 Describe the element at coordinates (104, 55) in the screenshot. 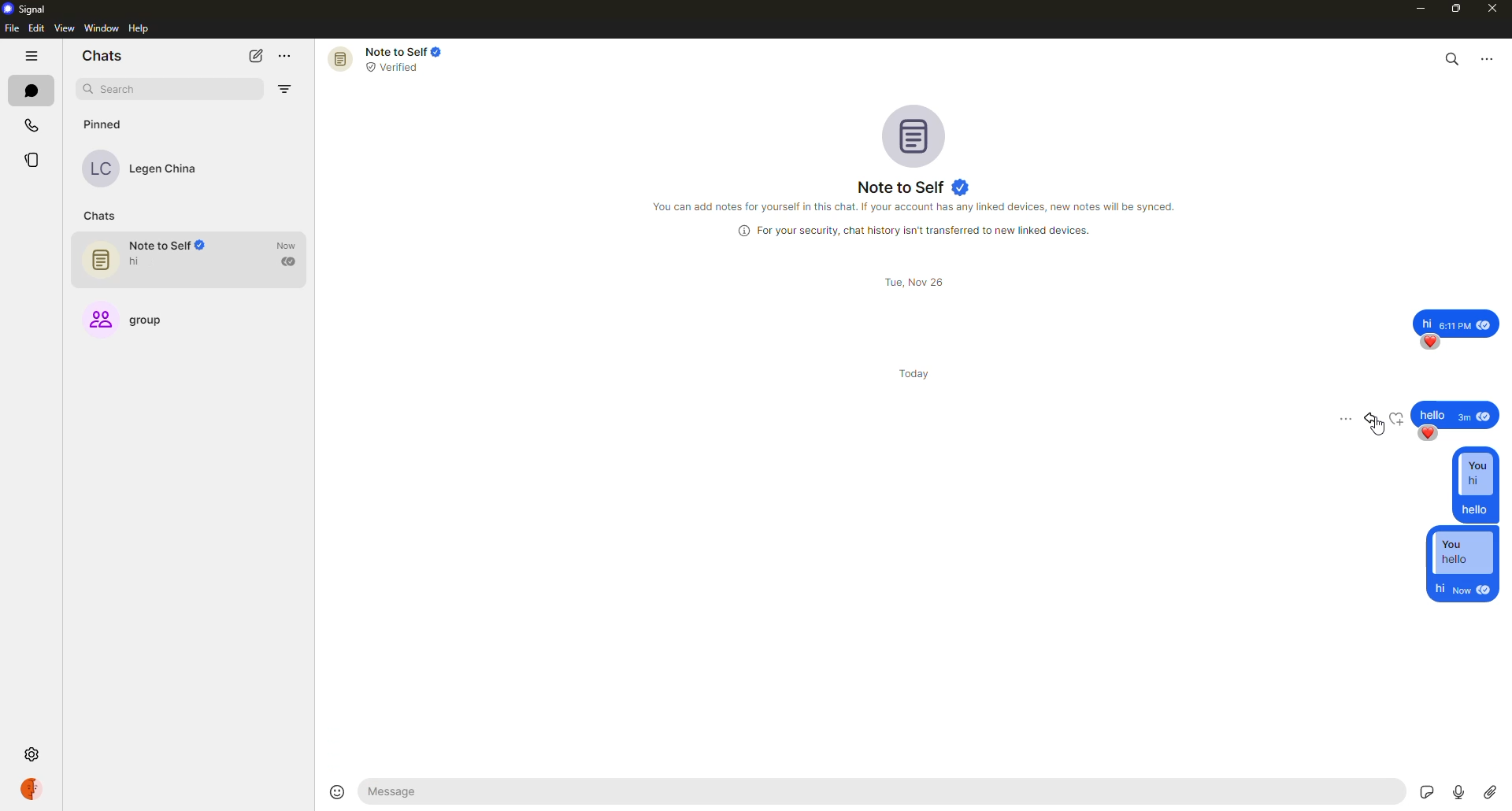

I see `chats` at that location.